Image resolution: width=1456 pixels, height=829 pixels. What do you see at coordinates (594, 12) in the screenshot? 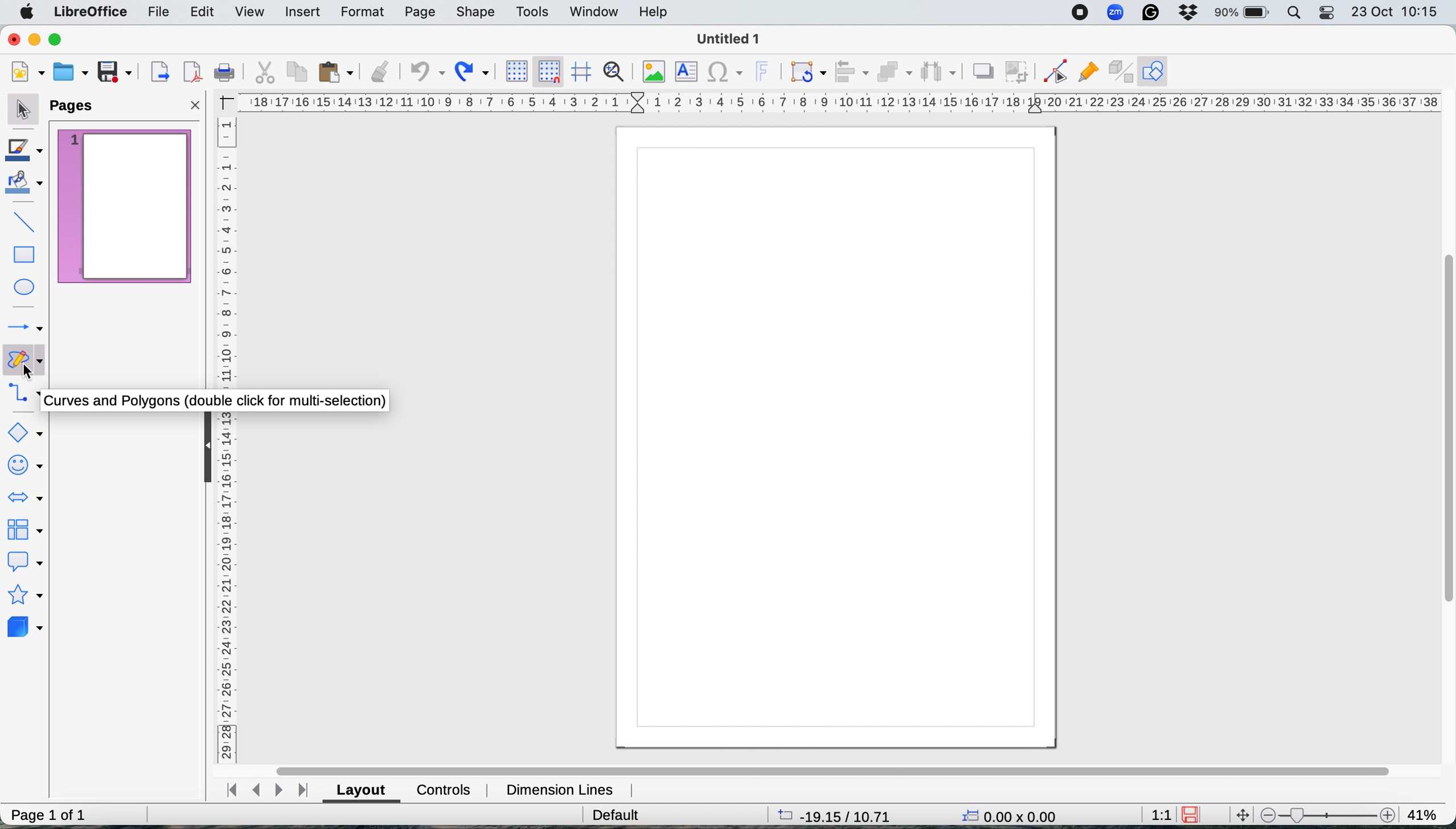
I see `window` at bounding box center [594, 12].